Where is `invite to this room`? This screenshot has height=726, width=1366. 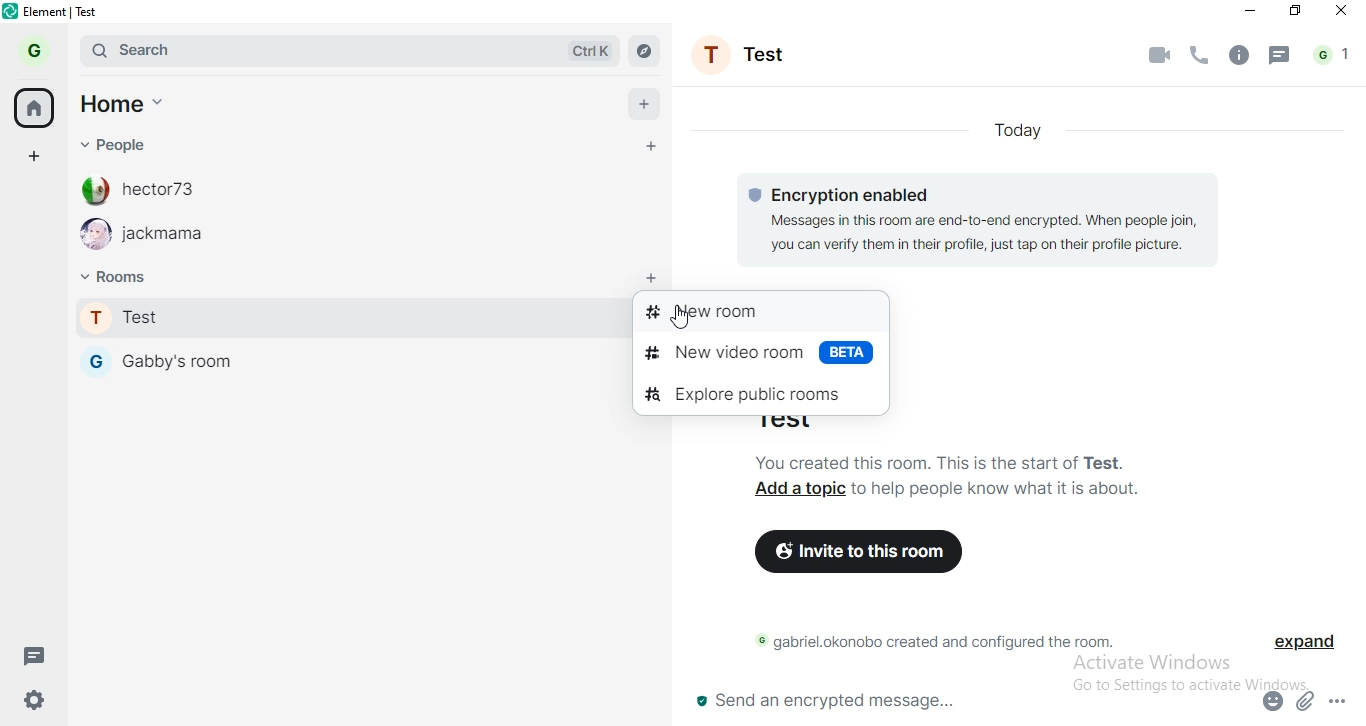
invite to this room is located at coordinates (856, 556).